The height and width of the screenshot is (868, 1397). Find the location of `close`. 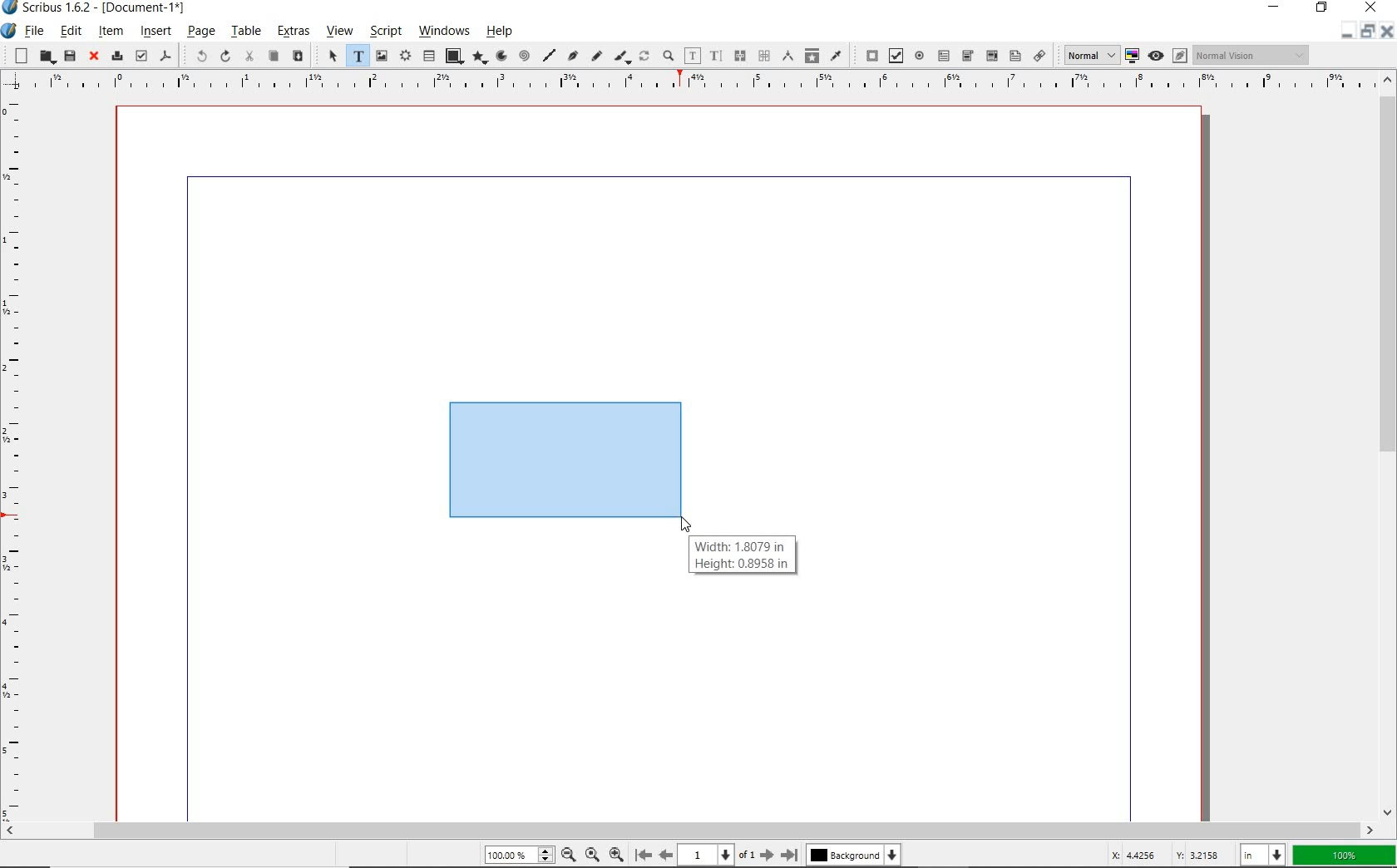

close is located at coordinates (94, 57).